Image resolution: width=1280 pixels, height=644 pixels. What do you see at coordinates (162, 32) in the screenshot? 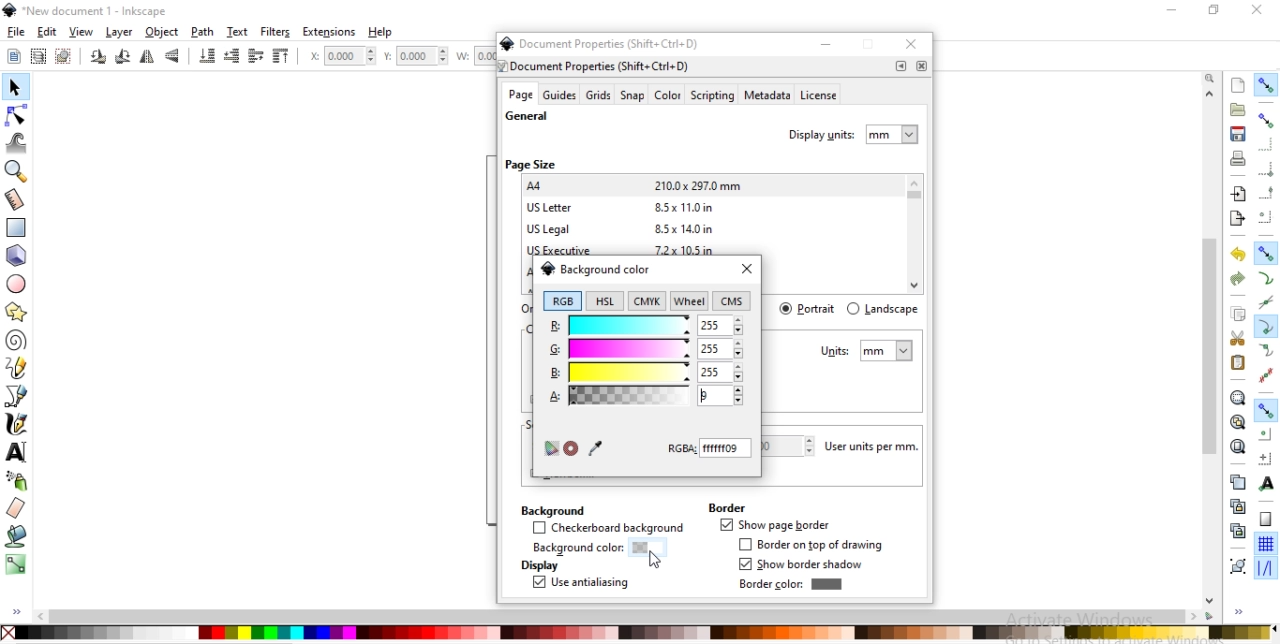
I see `object` at bounding box center [162, 32].